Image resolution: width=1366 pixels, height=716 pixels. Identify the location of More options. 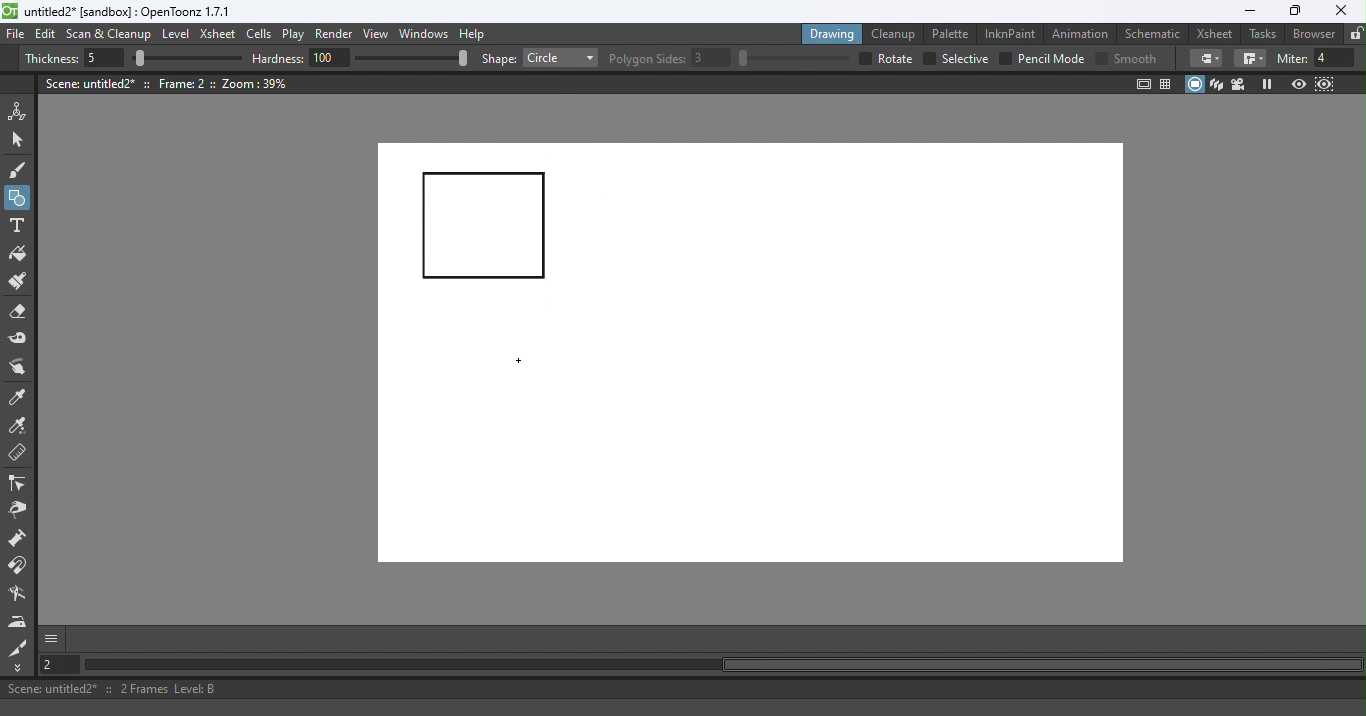
(51, 638).